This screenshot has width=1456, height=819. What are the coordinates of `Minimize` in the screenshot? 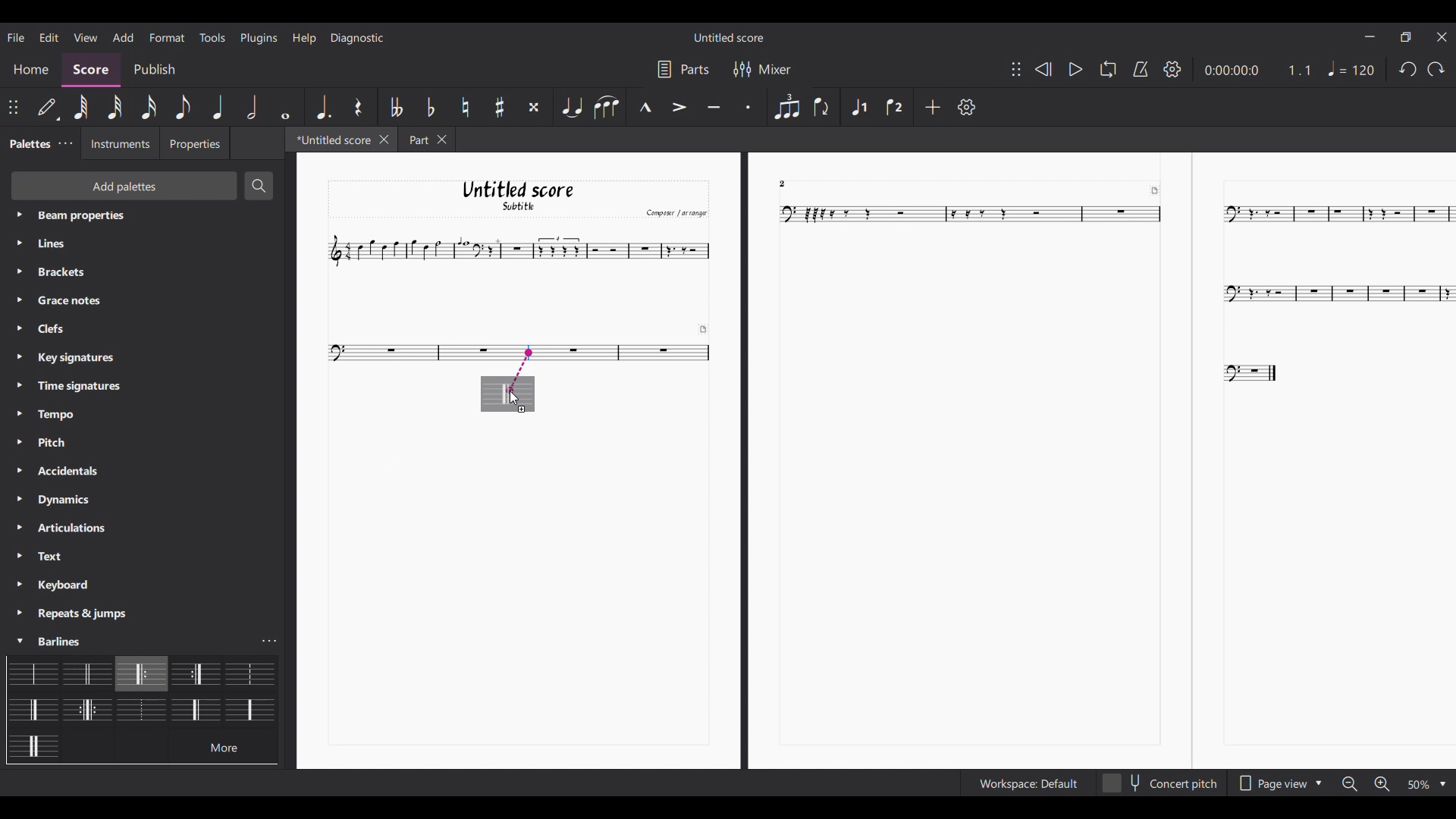 It's located at (1370, 37).